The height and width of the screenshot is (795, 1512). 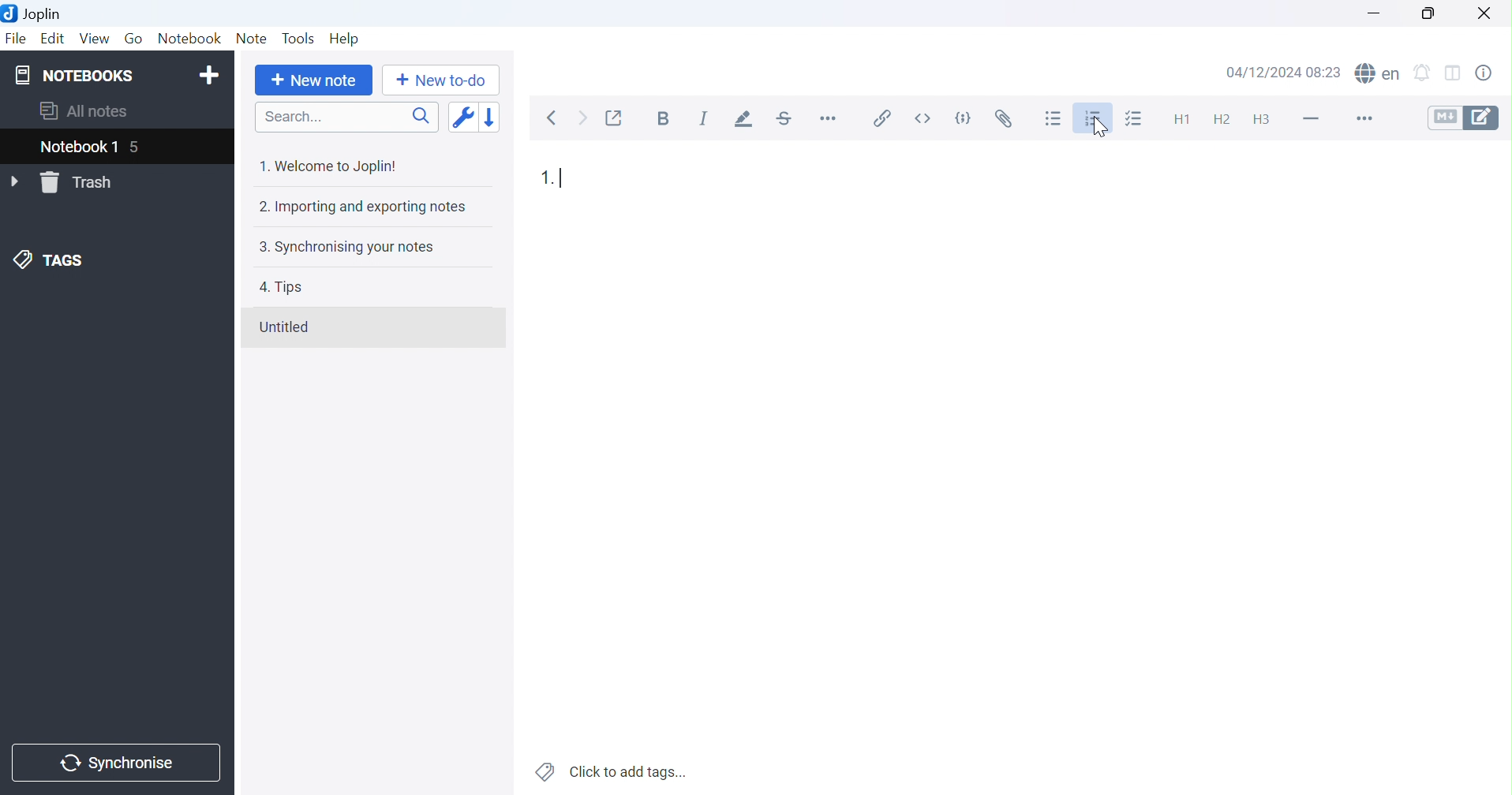 What do you see at coordinates (346, 117) in the screenshot?
I see `Search` at bounding box center [346, 117].